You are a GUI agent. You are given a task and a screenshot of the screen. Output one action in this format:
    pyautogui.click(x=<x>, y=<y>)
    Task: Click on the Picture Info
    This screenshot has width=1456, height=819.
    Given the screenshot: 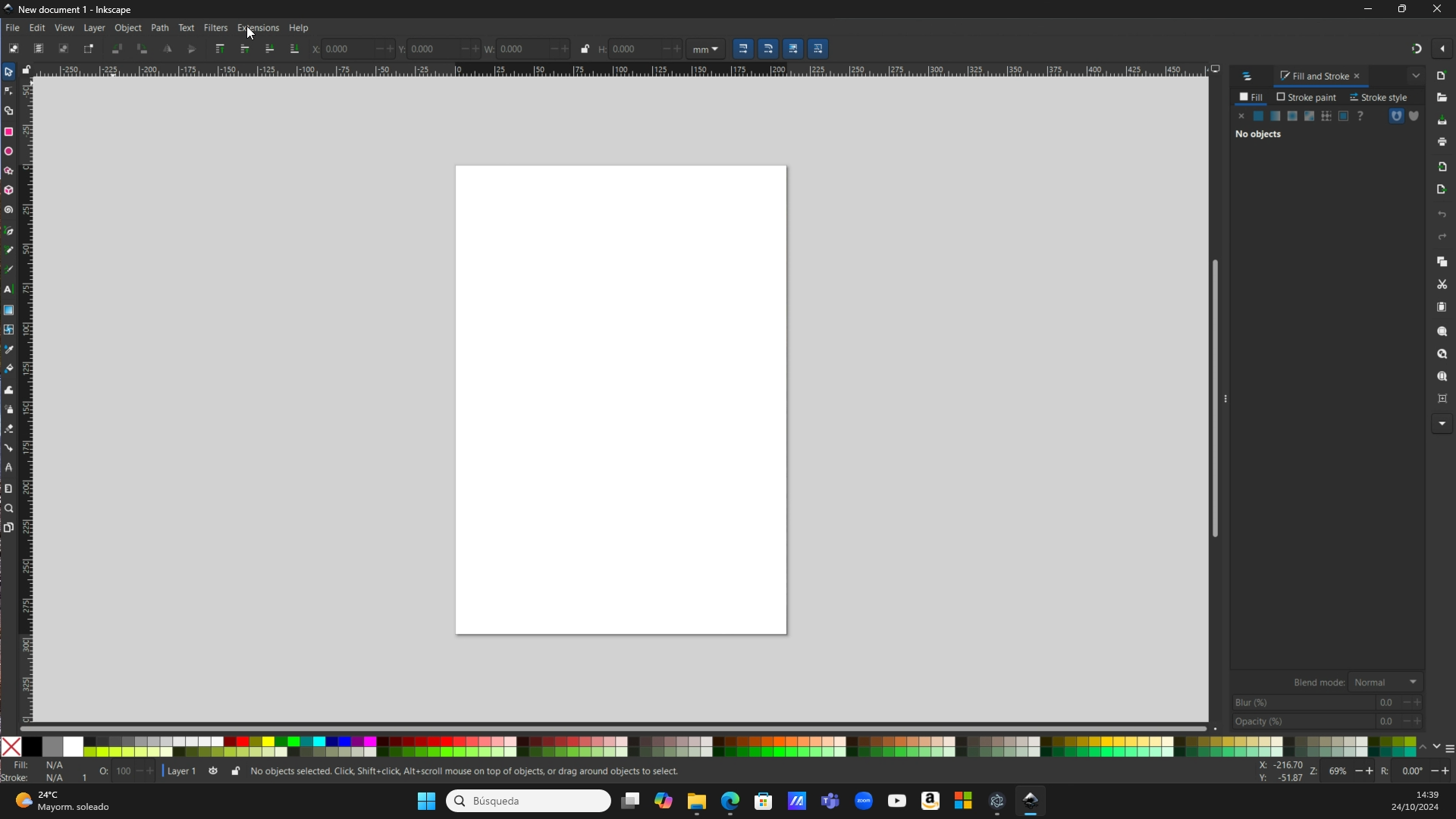 What is the action you would take?
    pyautogui.click(x=1352, y=771)
    